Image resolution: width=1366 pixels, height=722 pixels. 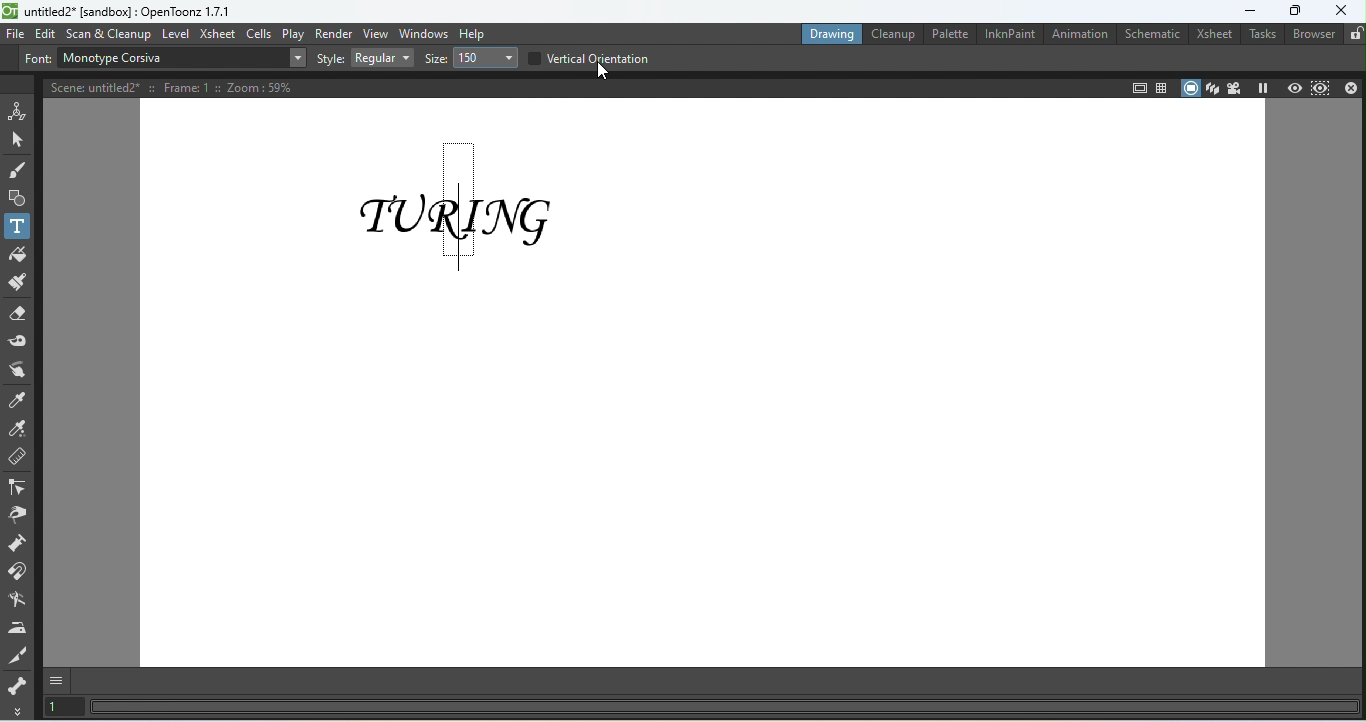 What do you see at coordinates (44, 34) in the screenshot?
I see `Edit` at bounding box center [44, 34].